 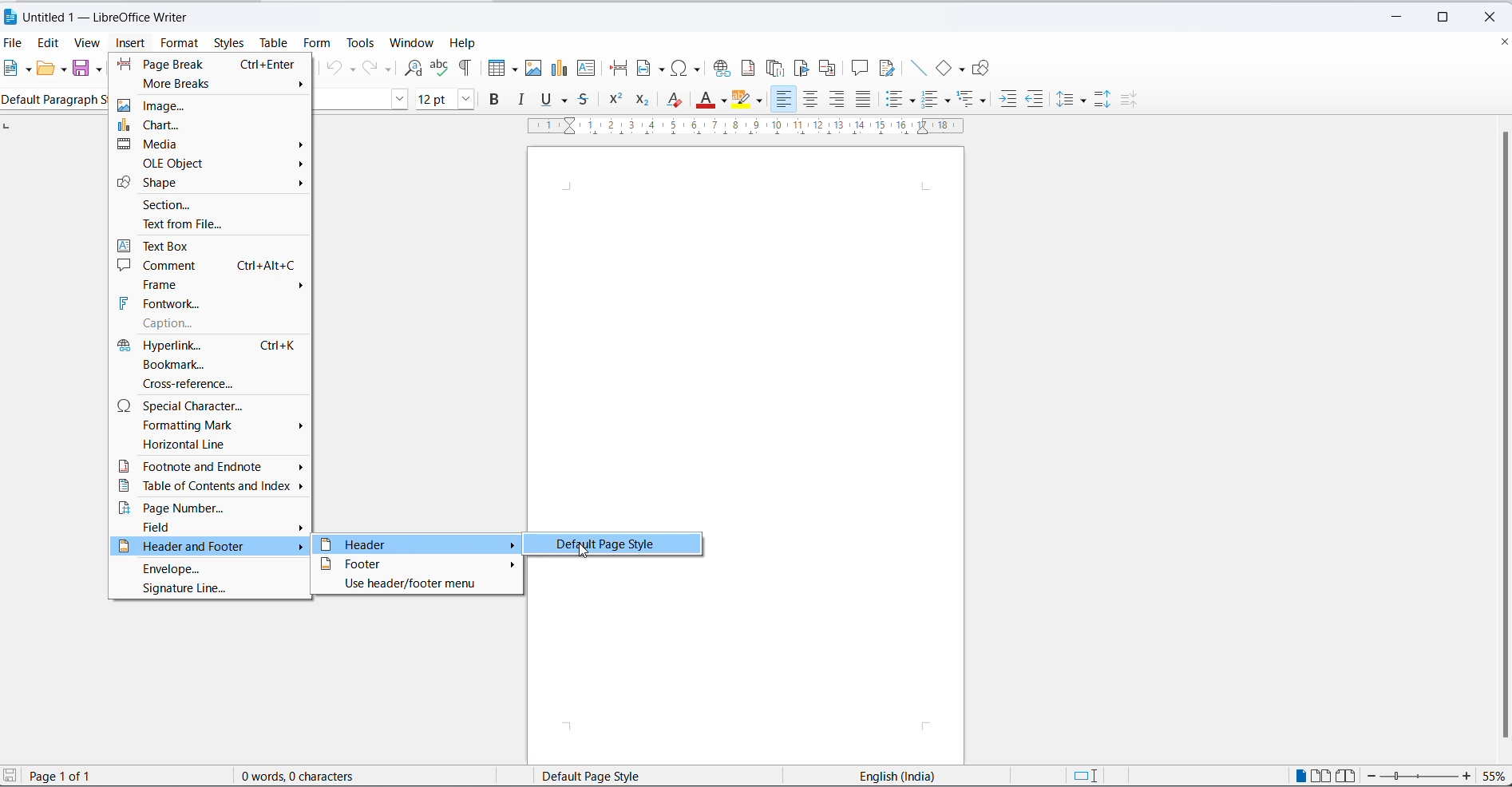 I want to click on spelling, so click(x=441, y=68).